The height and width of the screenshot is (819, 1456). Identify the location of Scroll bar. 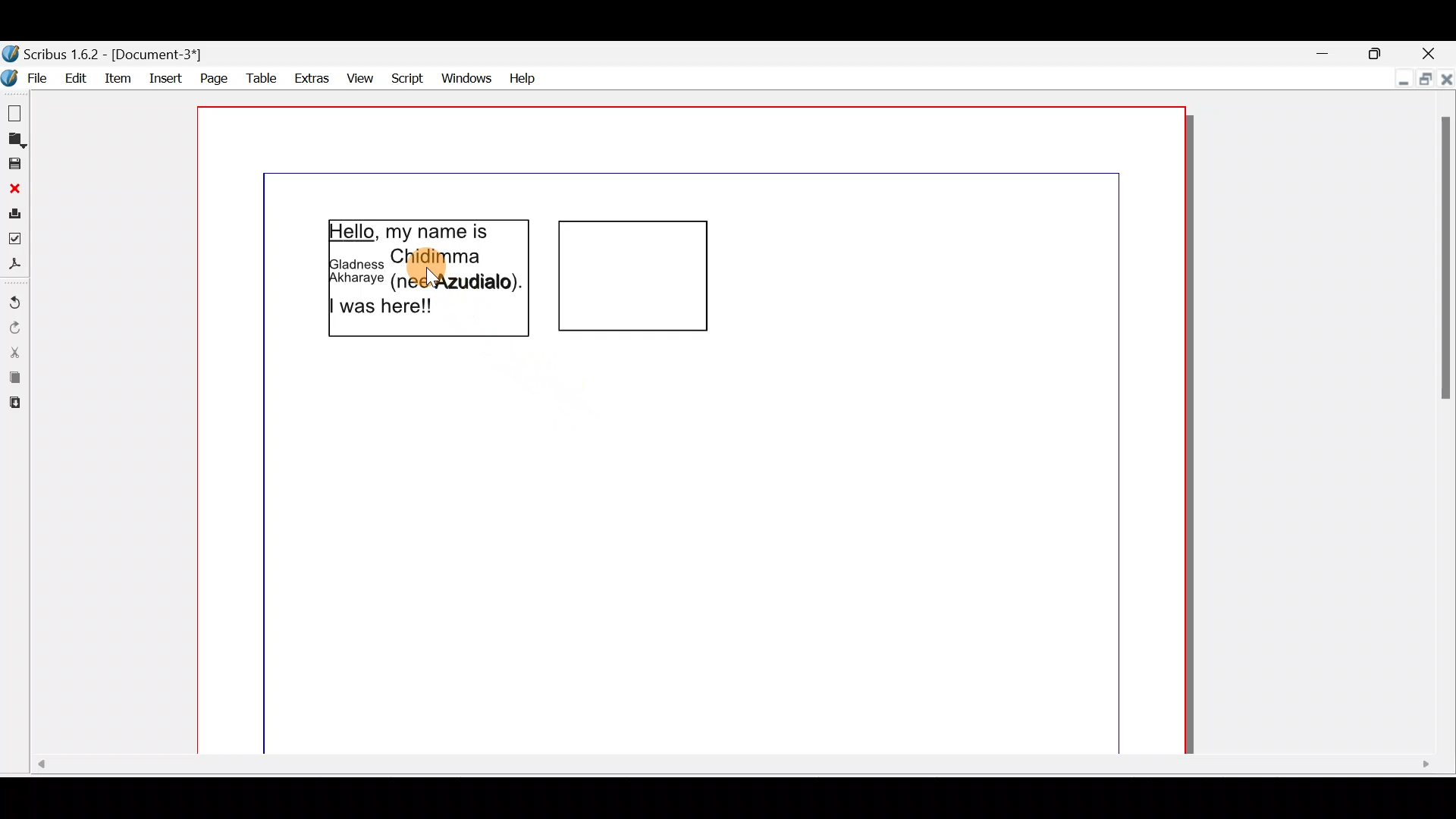
(730, 771).